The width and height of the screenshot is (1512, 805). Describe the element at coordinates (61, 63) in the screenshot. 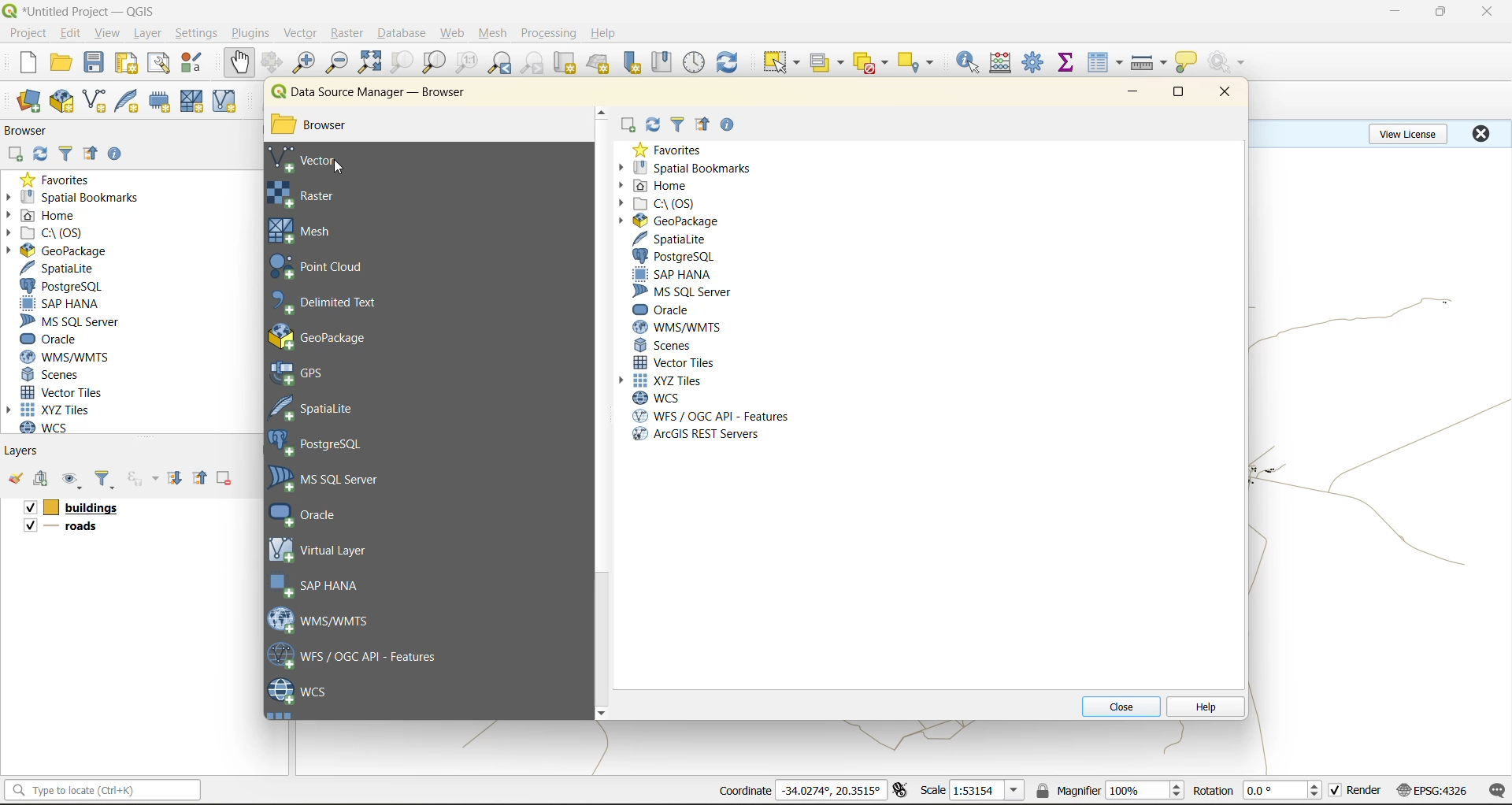

I see `open` at that location.